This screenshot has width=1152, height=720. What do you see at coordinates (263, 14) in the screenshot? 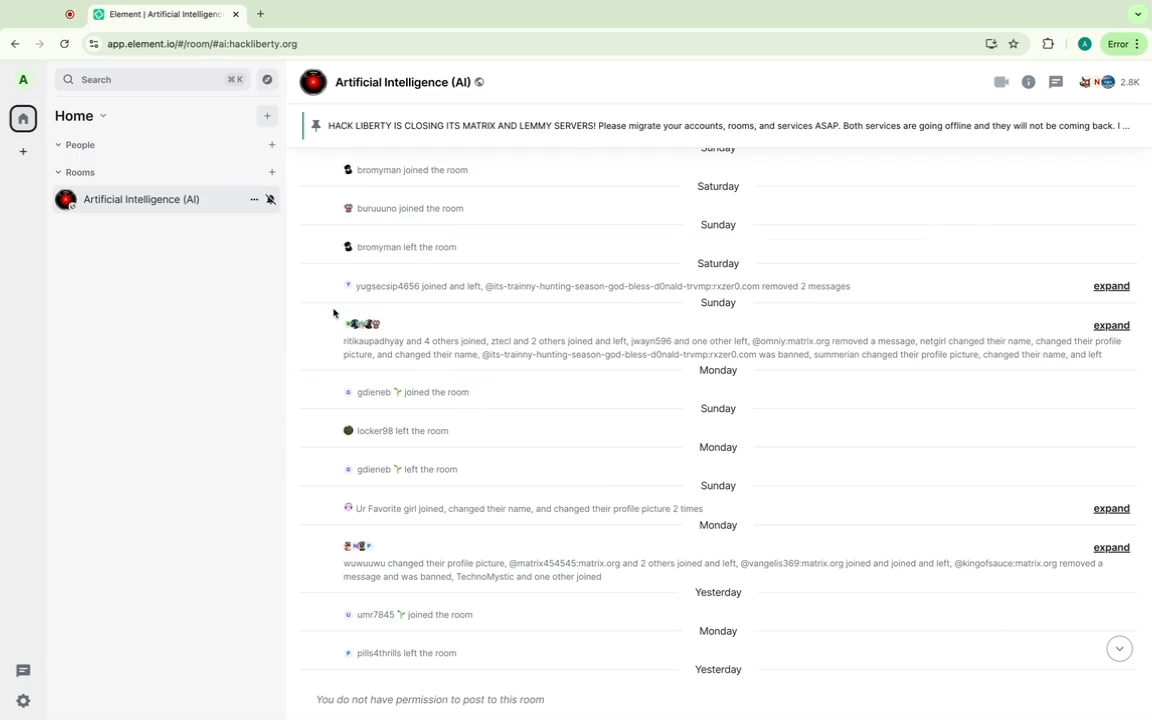
I see `New tab` at bounding box center [263, 14].